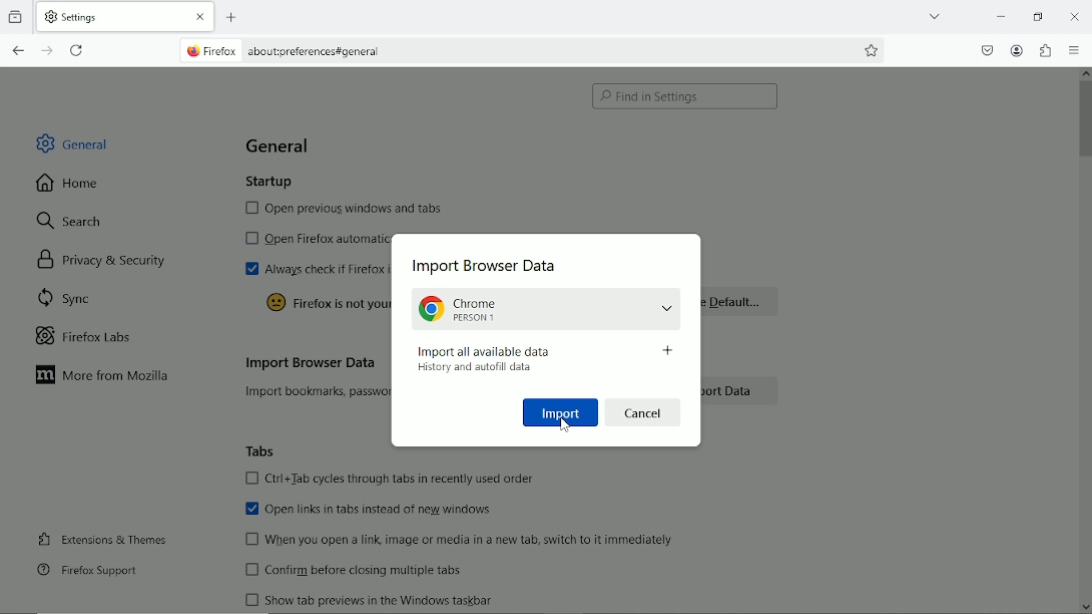 The image size is (1092, 614). I want to click on More from Mozilla, so click(107, 377).